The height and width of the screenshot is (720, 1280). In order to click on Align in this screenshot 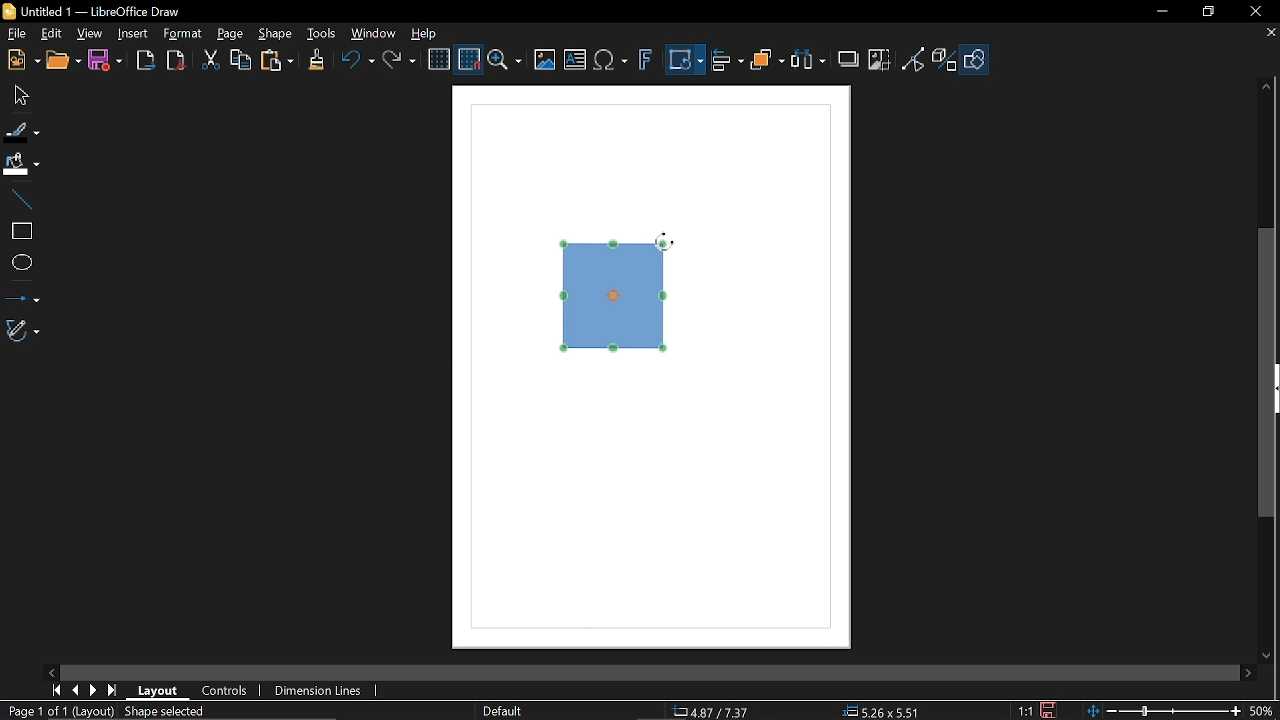, I will do `click(727, 60)`.